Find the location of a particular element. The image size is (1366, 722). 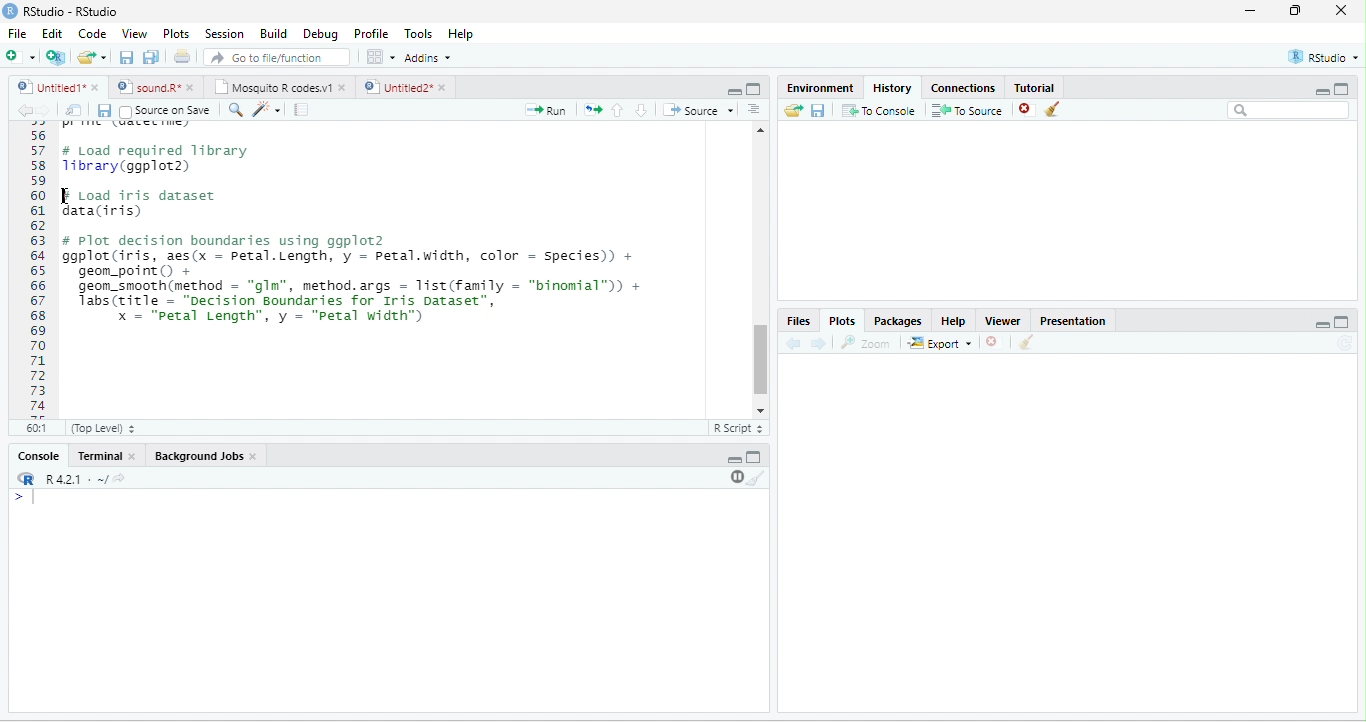

Console is located at coordinates (38, 455).